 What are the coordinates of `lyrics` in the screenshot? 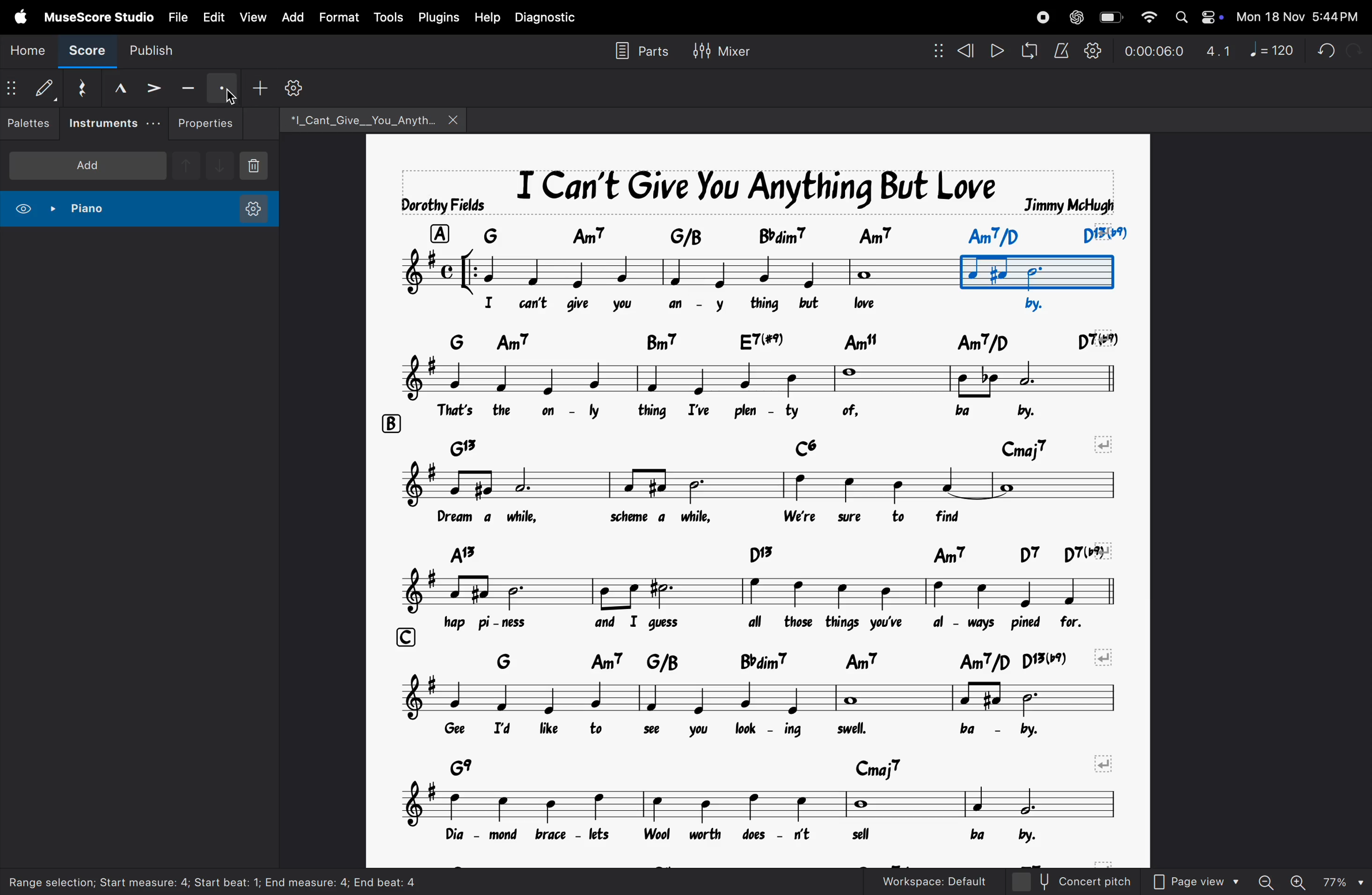 It's located at (761, 840).